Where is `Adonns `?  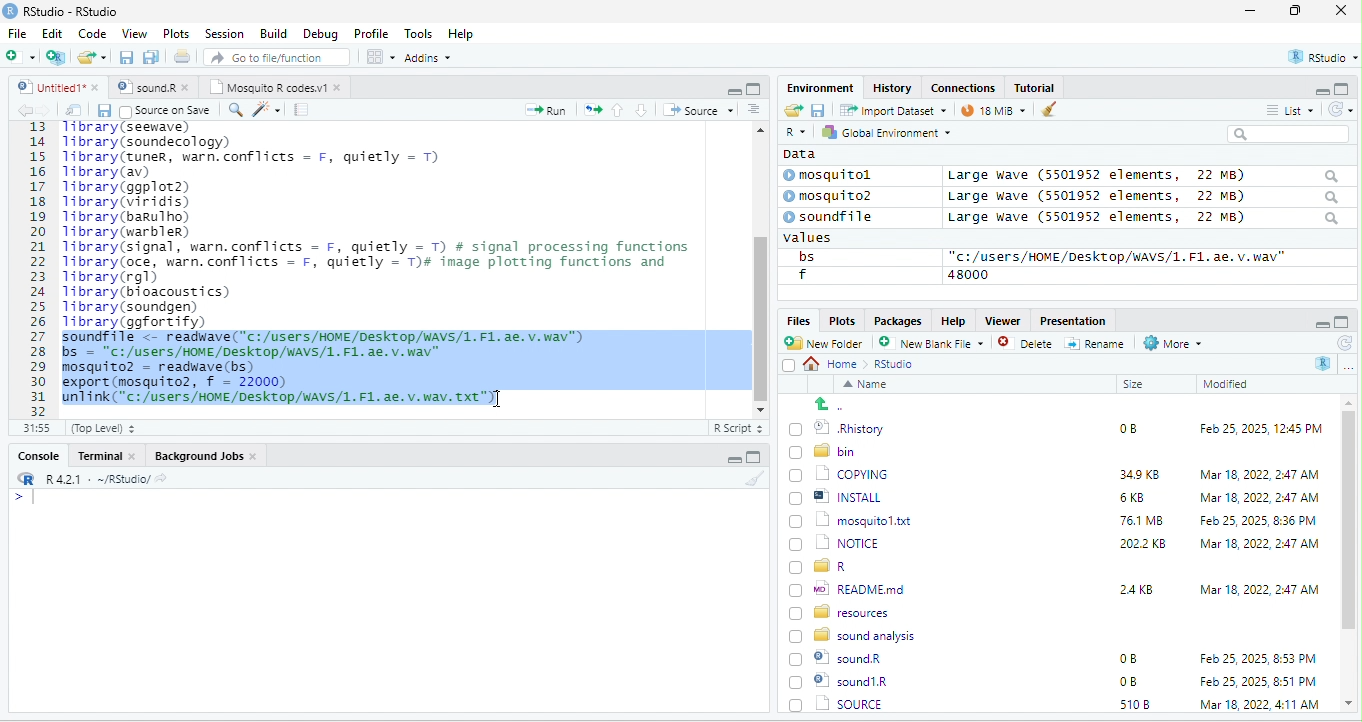 Adonns  is located at coordinates (428, 61).